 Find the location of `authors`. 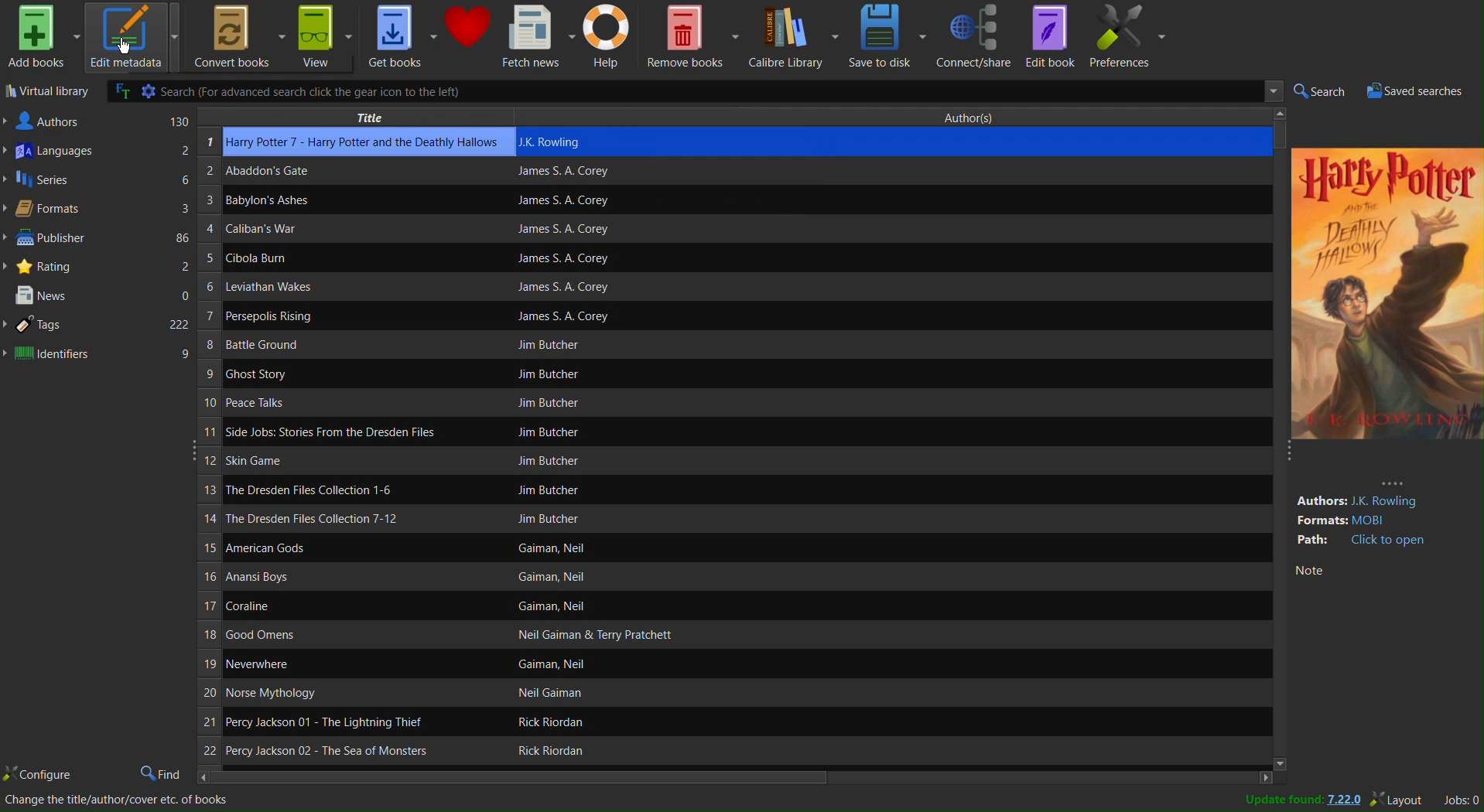

authors is located at coordinates (1376, 495).